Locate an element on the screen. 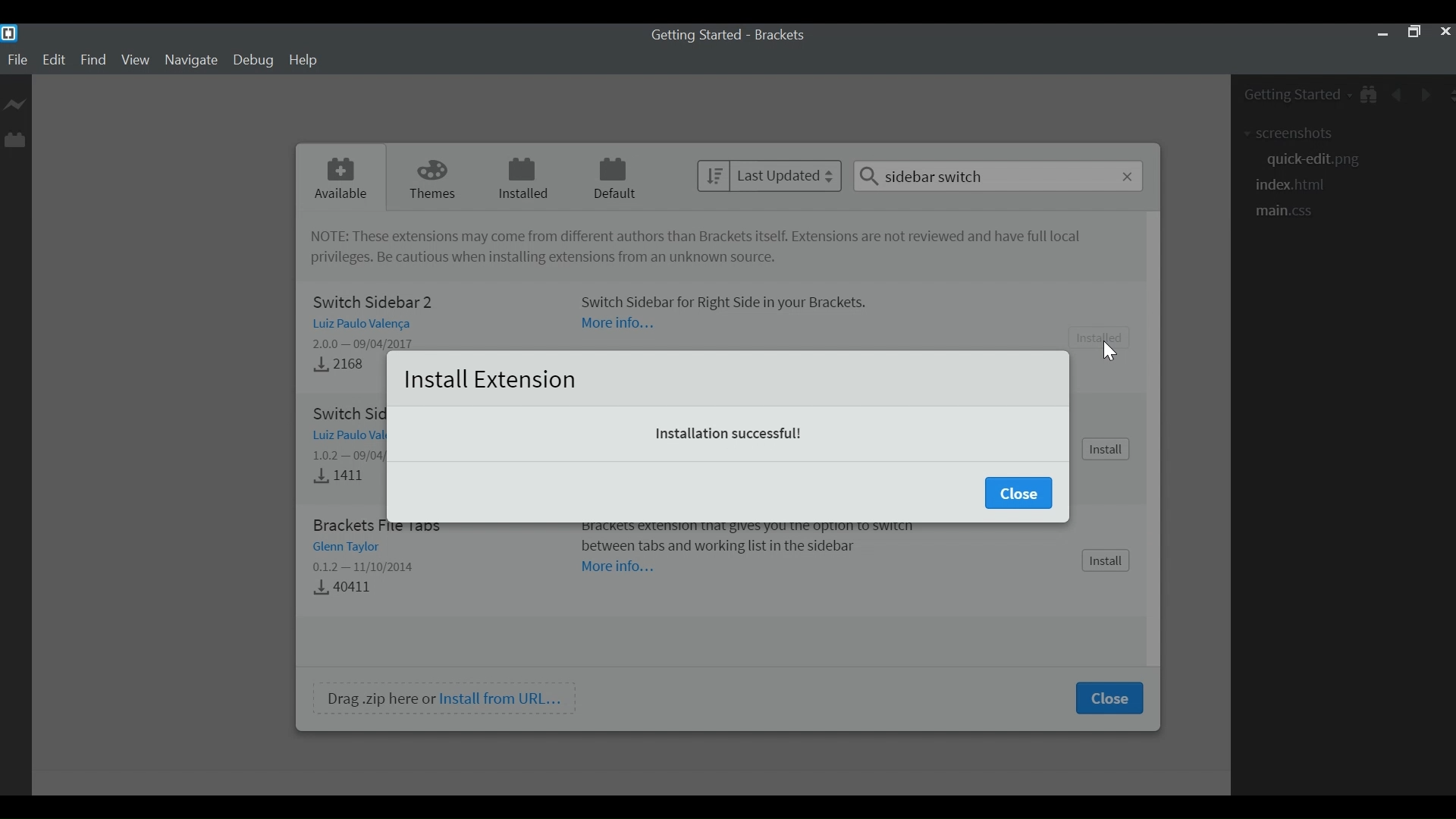  Debug is located at coordinates (254, 61).